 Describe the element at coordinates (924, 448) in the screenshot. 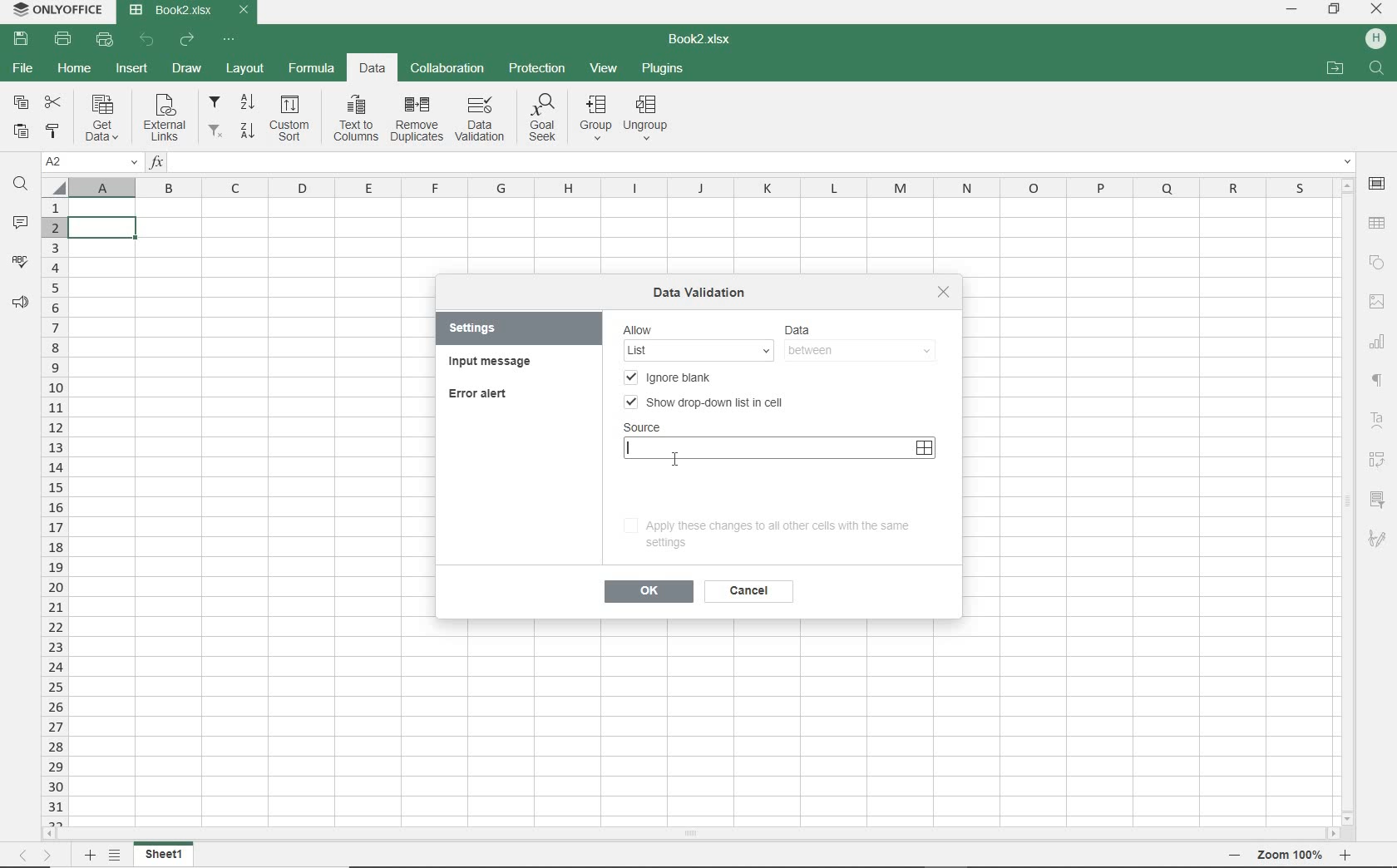

I see `SELECT DATE` at that location.